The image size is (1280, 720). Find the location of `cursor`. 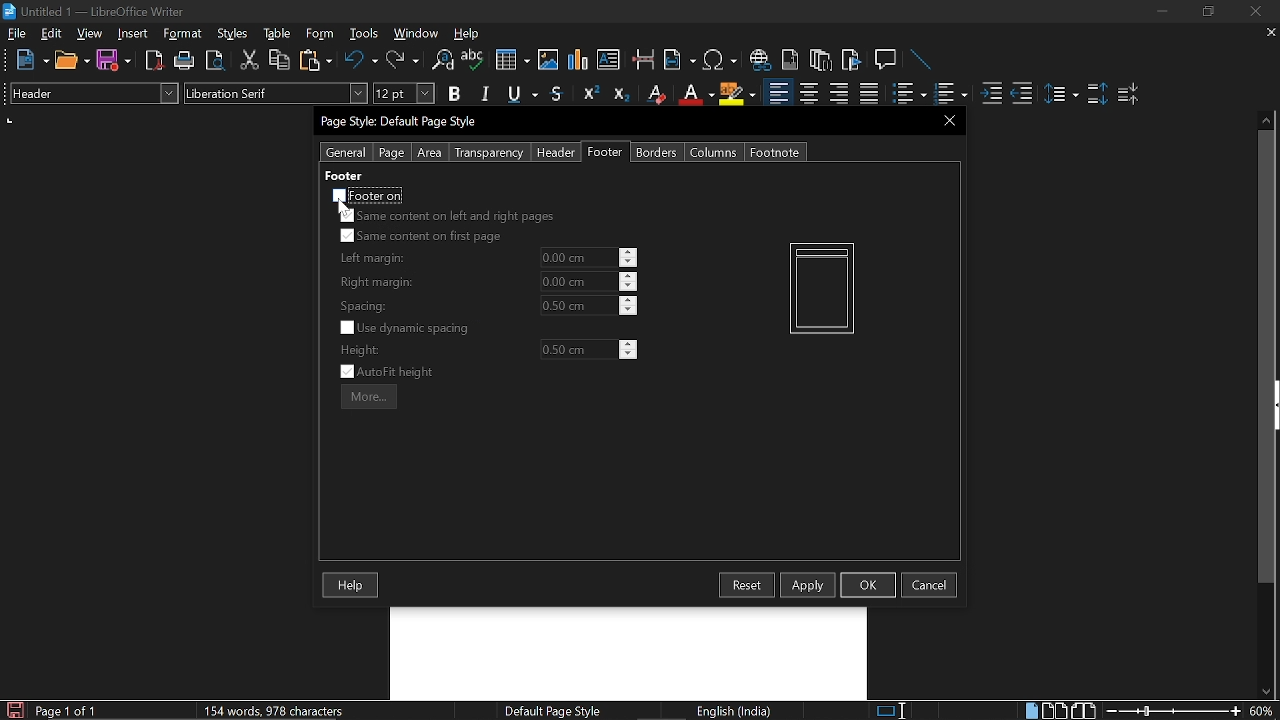

cursor is located at coordinates (345, 208).